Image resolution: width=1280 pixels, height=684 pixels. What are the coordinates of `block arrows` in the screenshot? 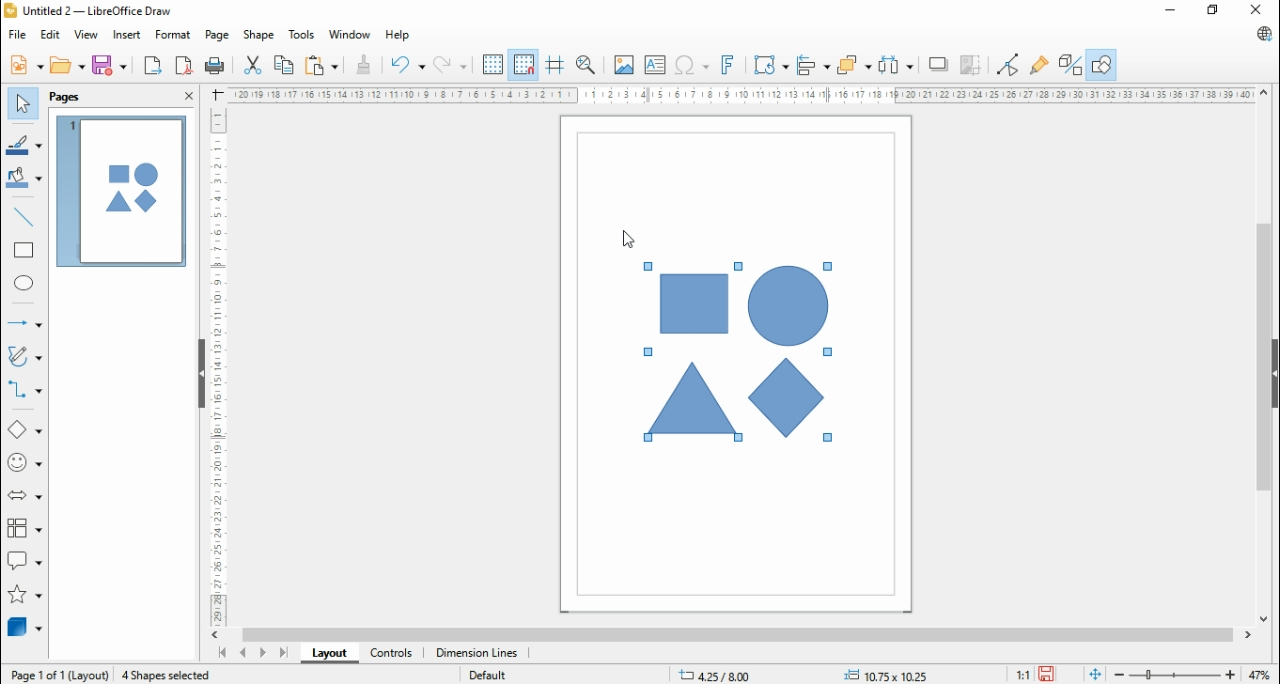 It's located at (25, 495).